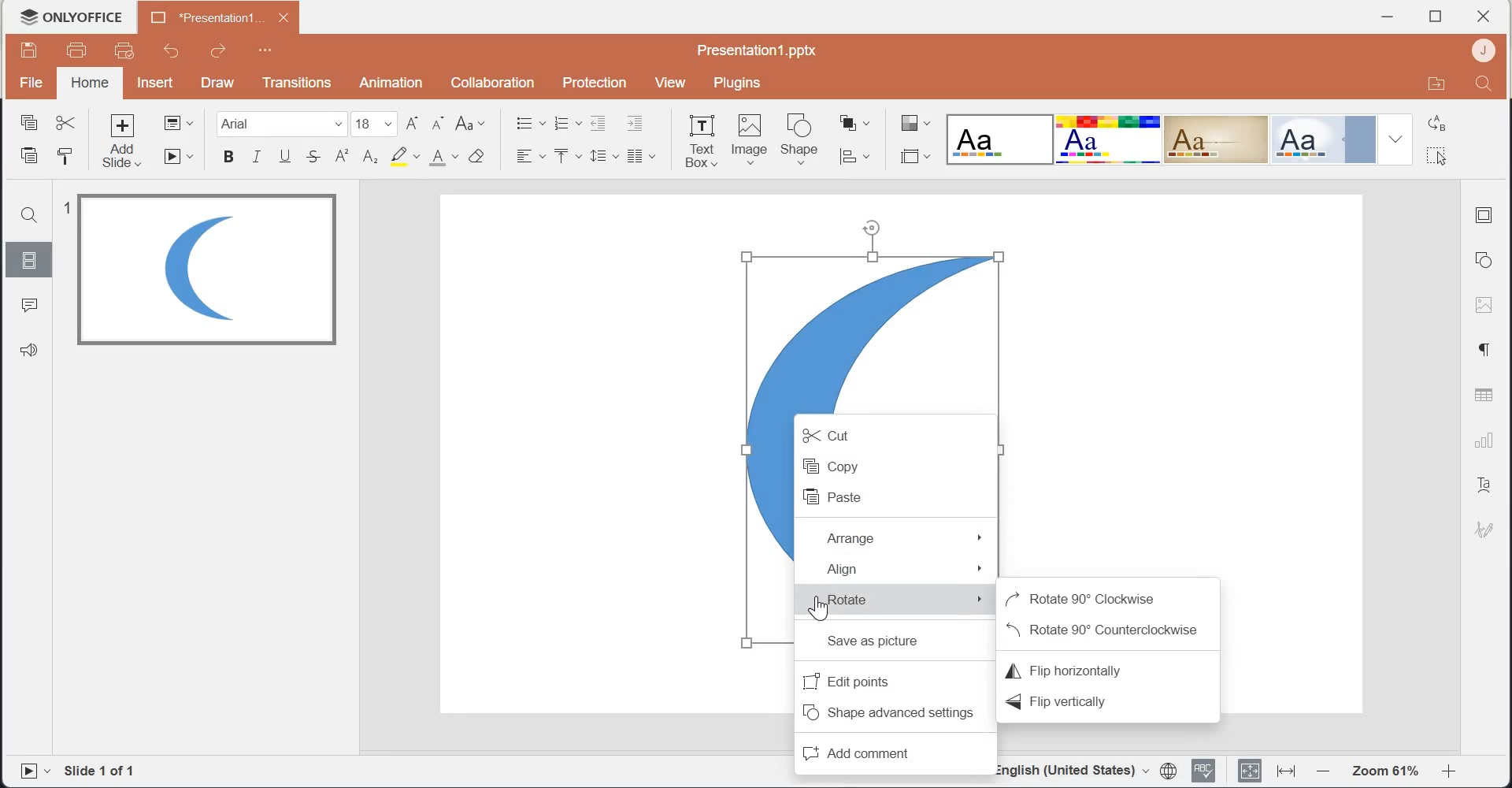  What do you see at coordinates (889, 711) in the screenshot?
I see `Shape advanced settings` at bounding box center [889, 711].